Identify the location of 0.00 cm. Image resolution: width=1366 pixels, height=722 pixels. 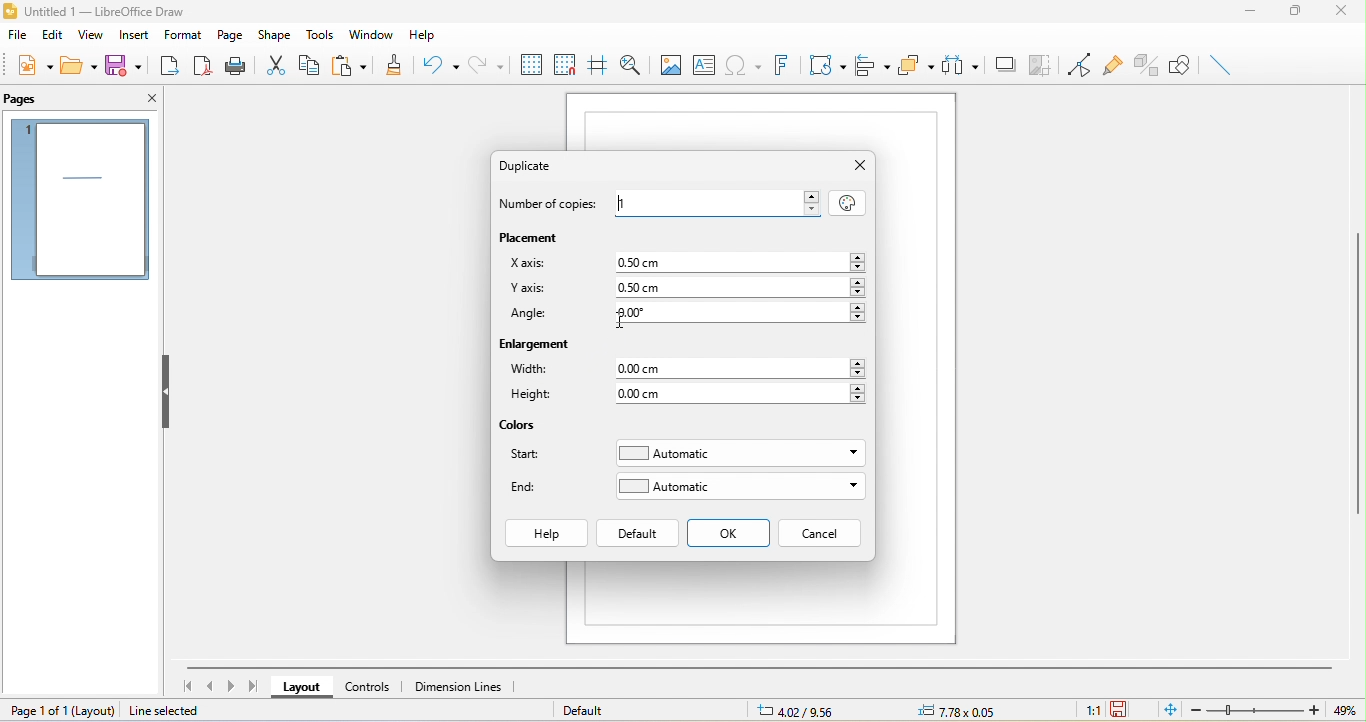
(742, 393).